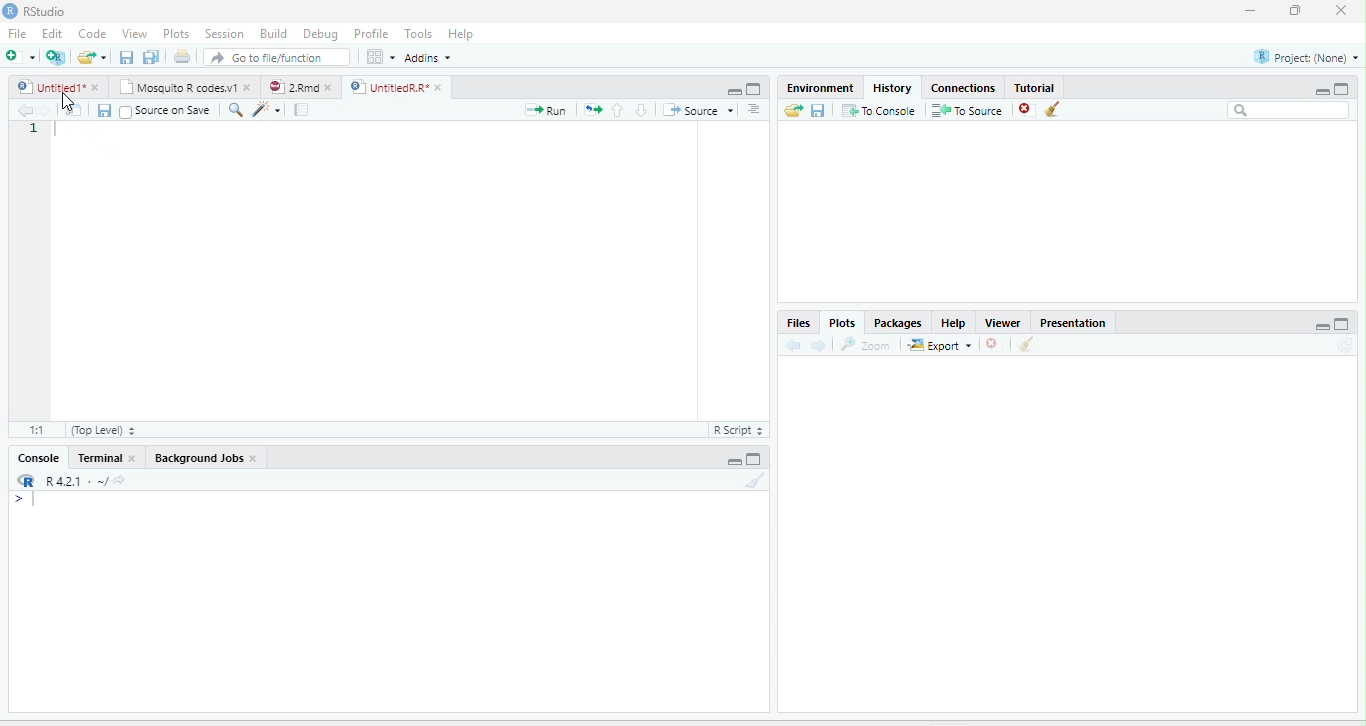  Describe the element at coordinates (641, 110) in the screenshot. I see `Go to next section/chunk` at that location.